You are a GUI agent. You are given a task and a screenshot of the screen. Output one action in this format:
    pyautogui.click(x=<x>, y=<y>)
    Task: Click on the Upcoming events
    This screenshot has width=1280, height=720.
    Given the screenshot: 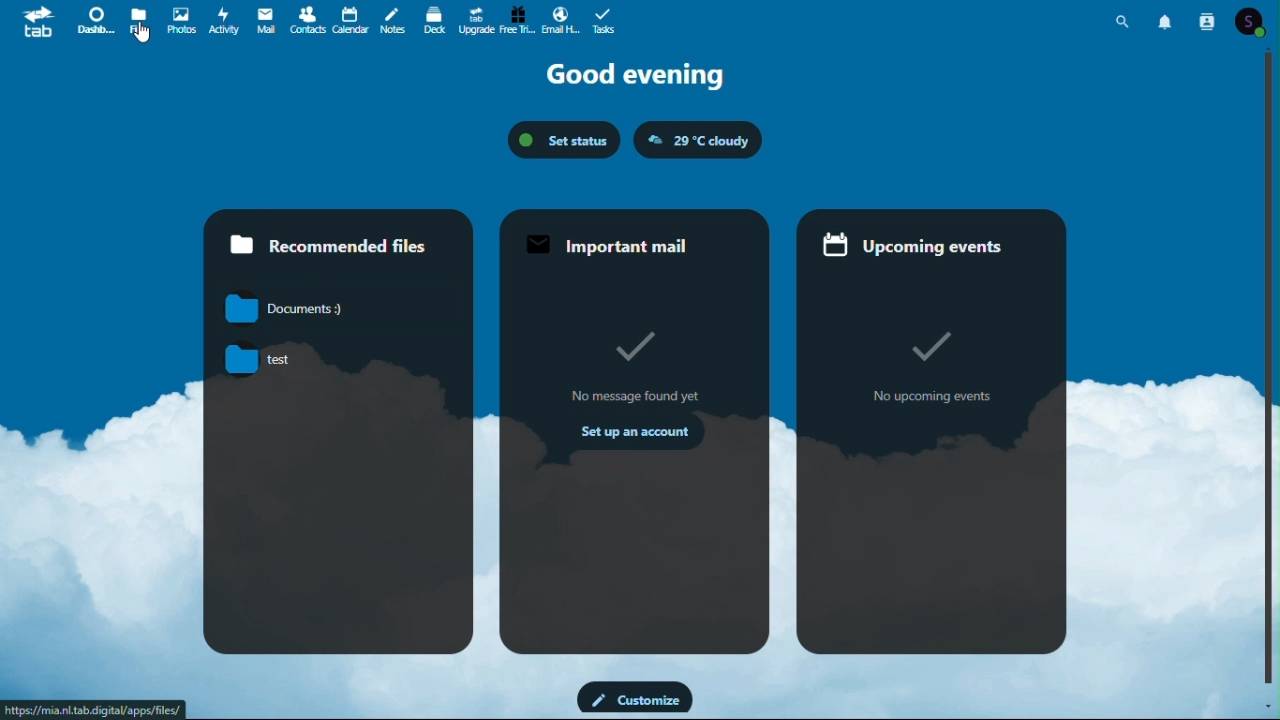 What is the action you would take?
    pyautogui.click(x=907, y=248)
    